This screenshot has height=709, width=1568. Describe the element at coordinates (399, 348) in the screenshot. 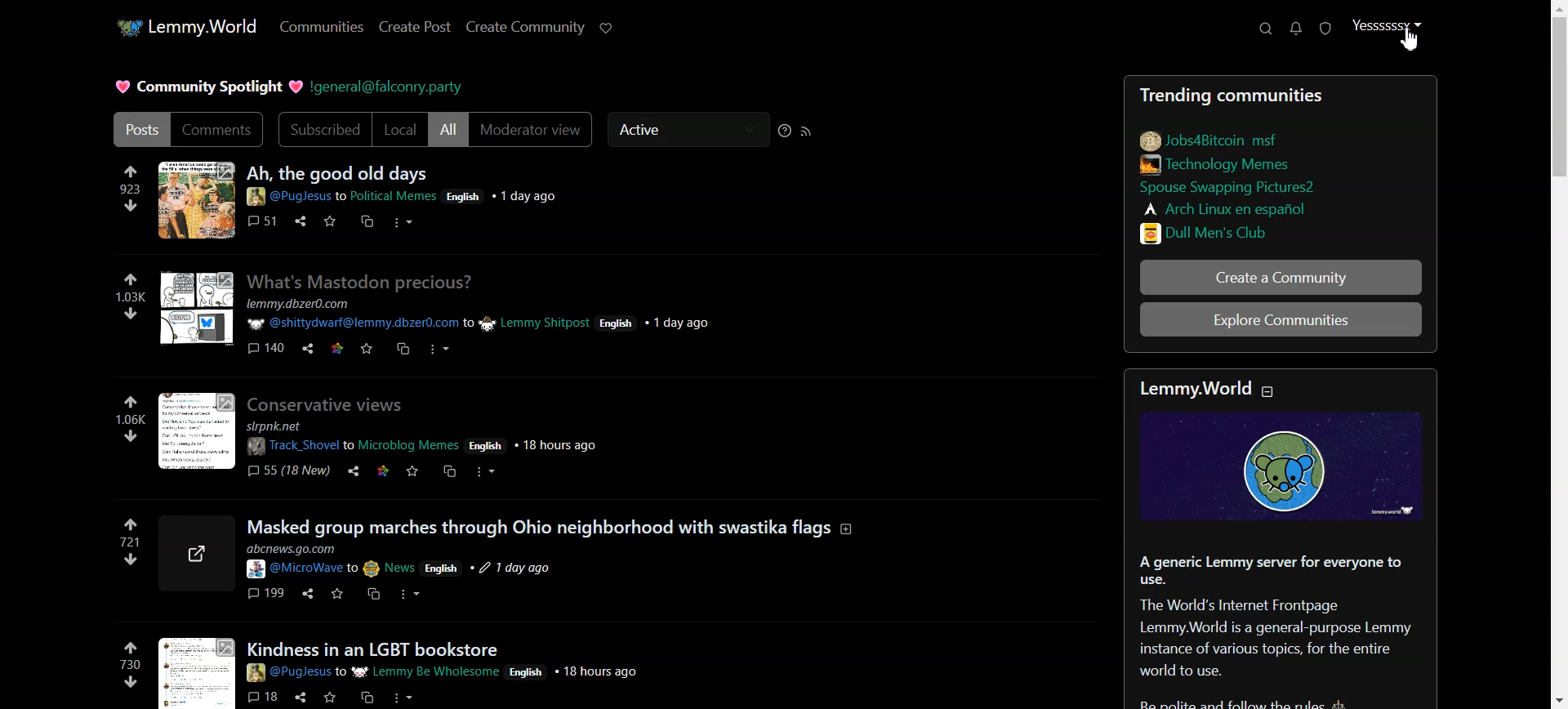

I see `cross share` at that location.